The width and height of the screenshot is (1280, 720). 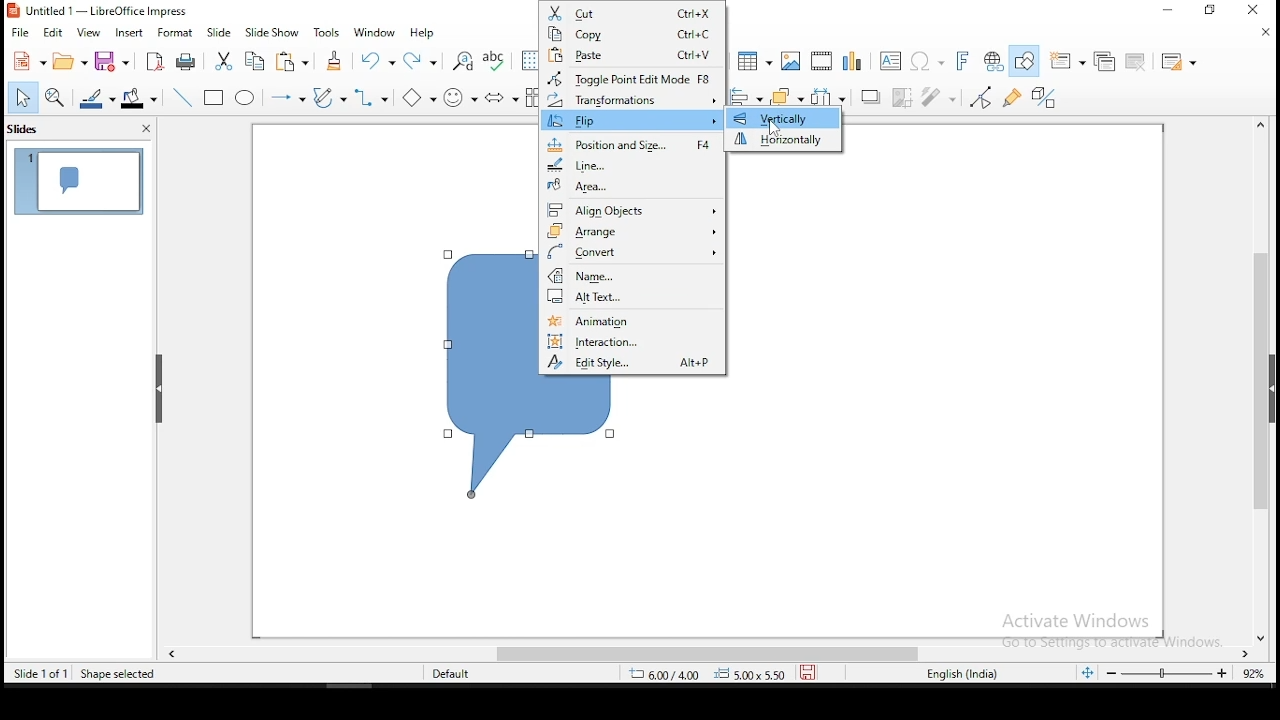 I want to click on filter, so click(x=940, y=97).